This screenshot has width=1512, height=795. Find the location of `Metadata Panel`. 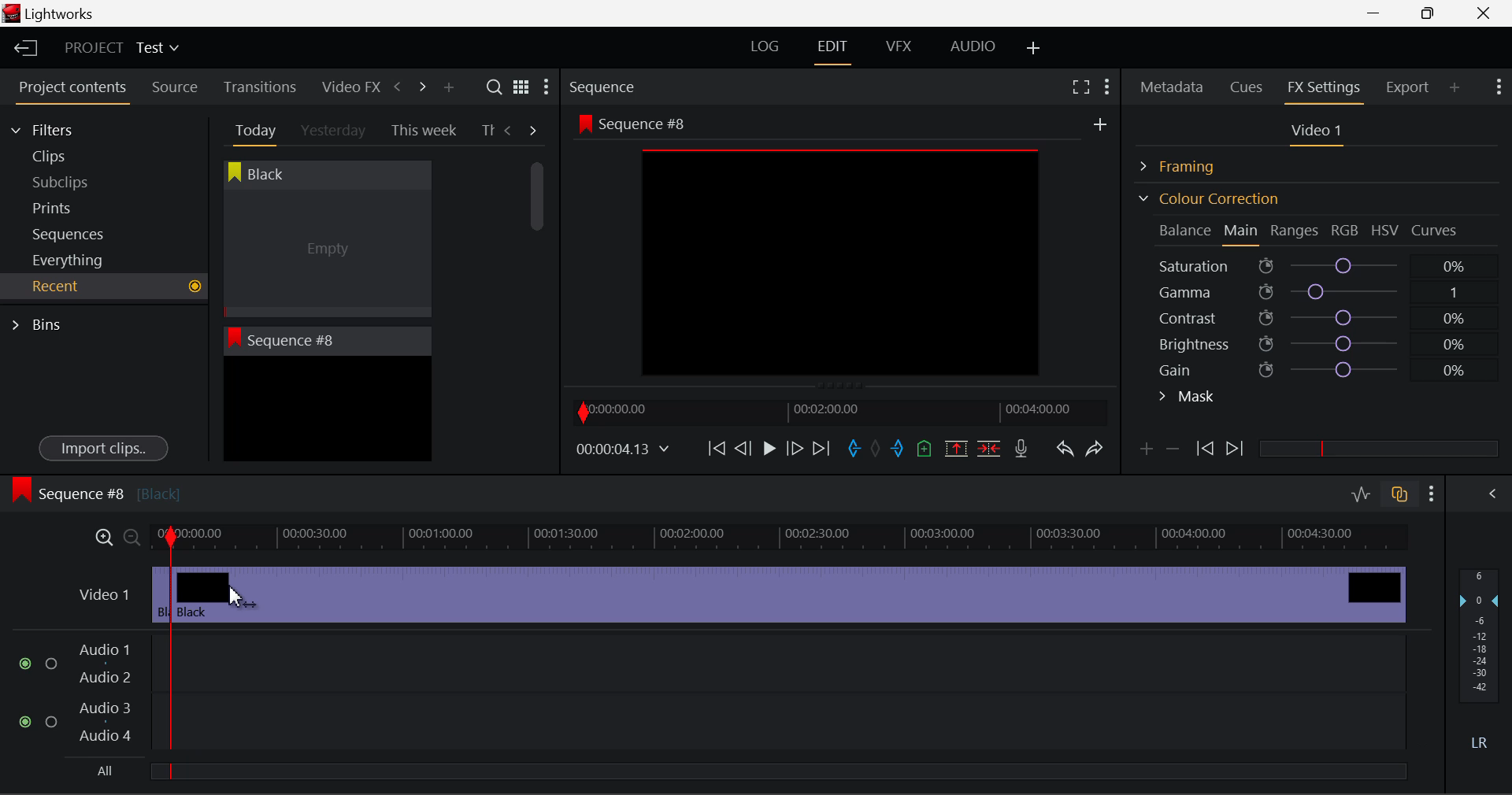

Metadata Panel is located at coordinates (1173, 84).